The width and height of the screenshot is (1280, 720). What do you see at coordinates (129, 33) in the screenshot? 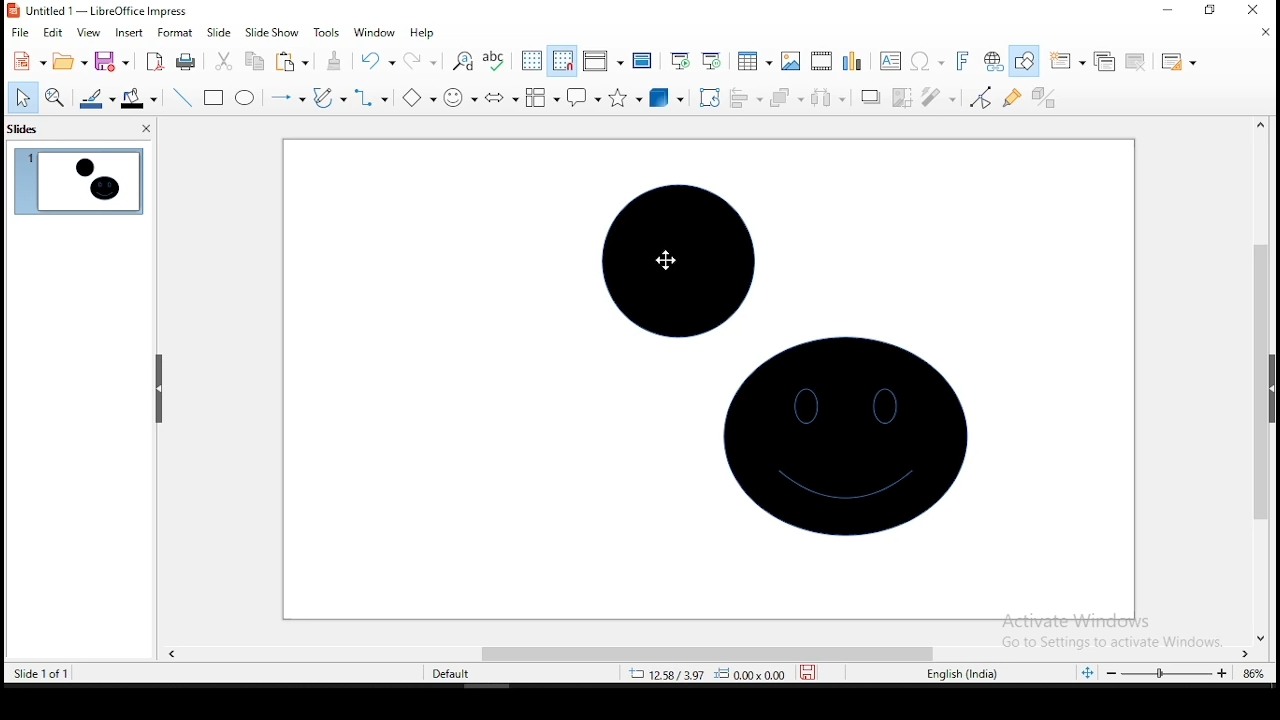
I see `insert` at bounding box center [129, 33].